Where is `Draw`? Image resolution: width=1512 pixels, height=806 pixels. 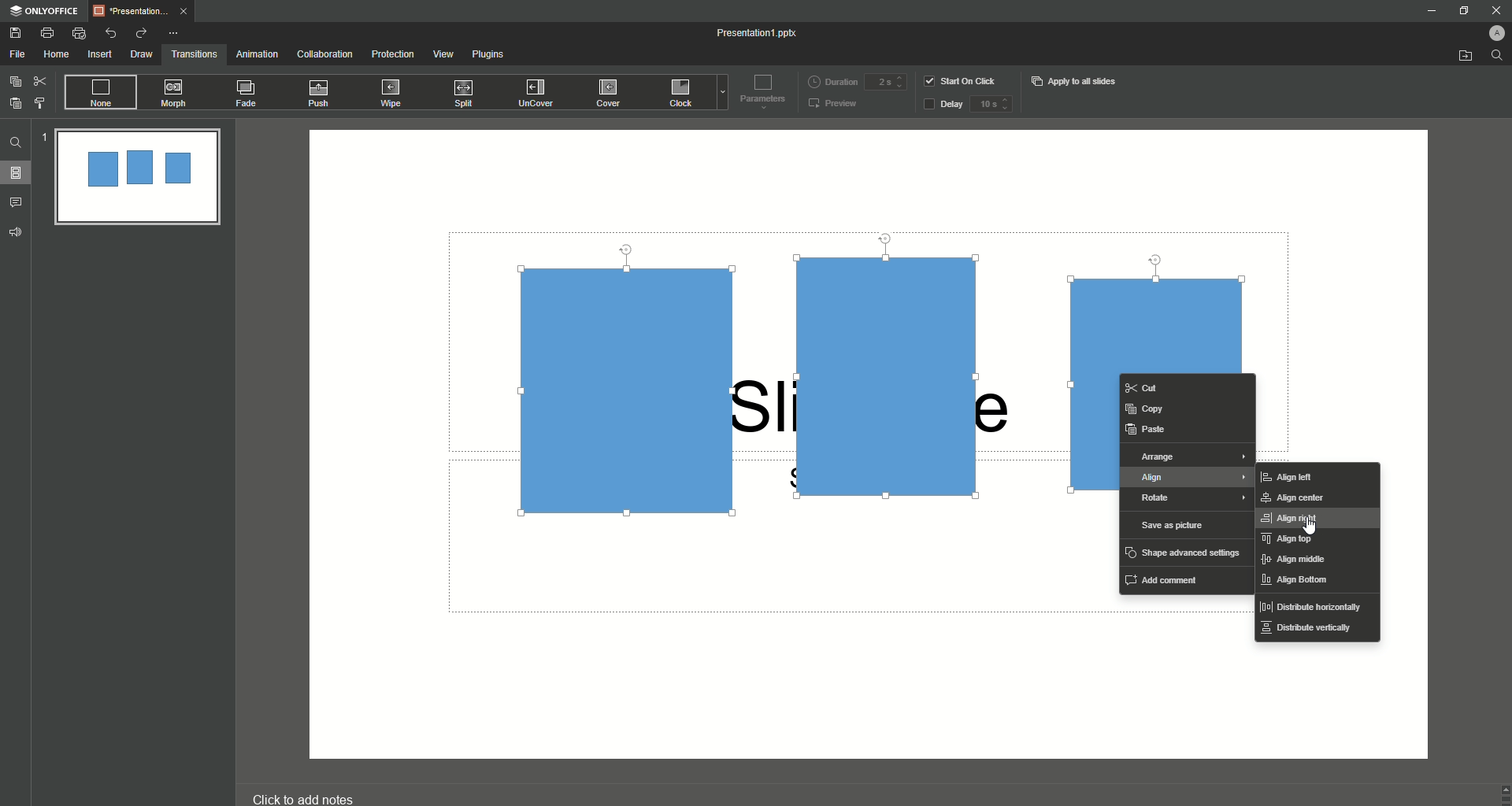
Draw is located at coordinates (142, 54).